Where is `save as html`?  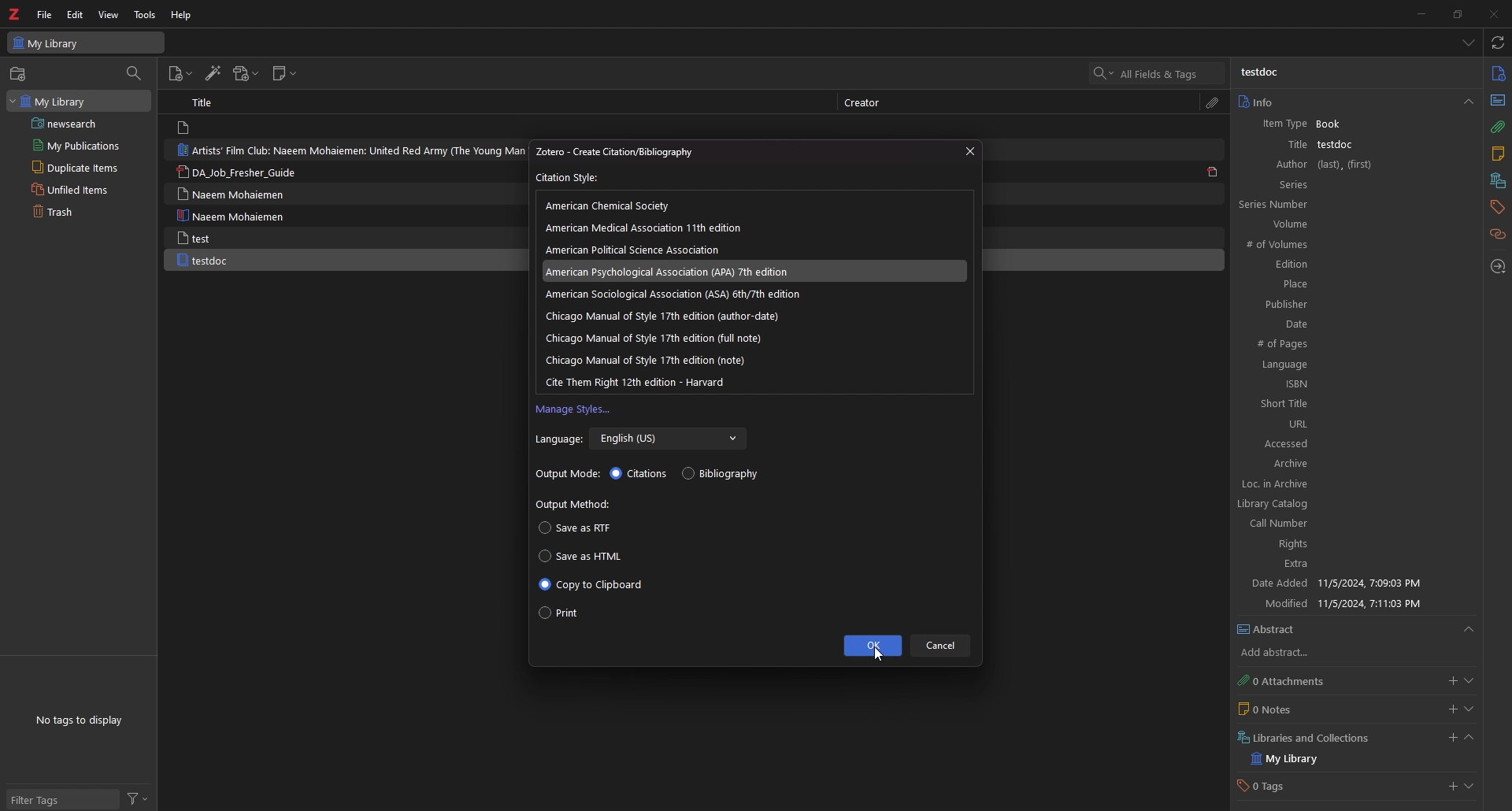 save as html is located at coordinates (584, 556).